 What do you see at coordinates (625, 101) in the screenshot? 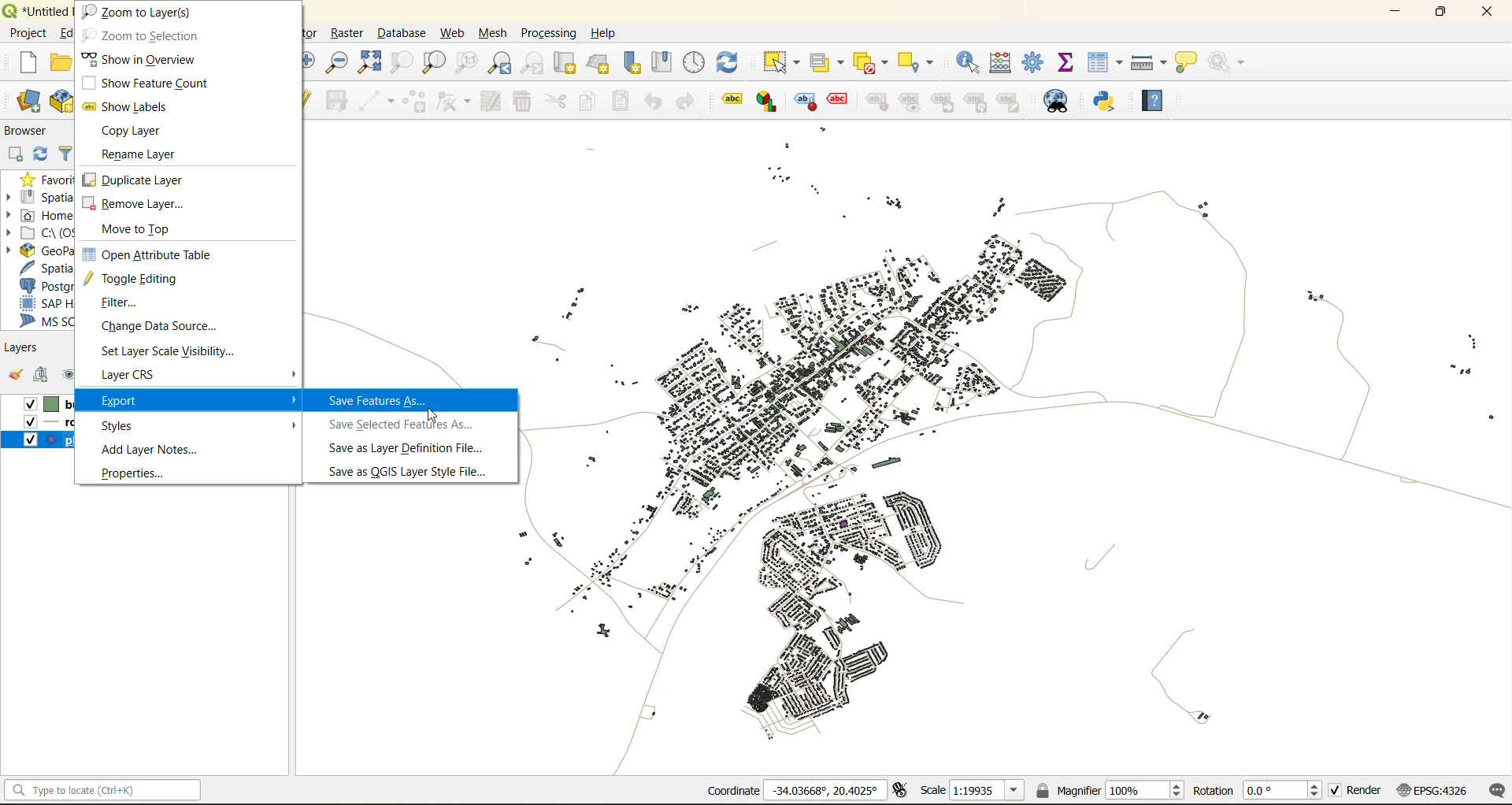
I see `paste` at bounding box center [625, 101].